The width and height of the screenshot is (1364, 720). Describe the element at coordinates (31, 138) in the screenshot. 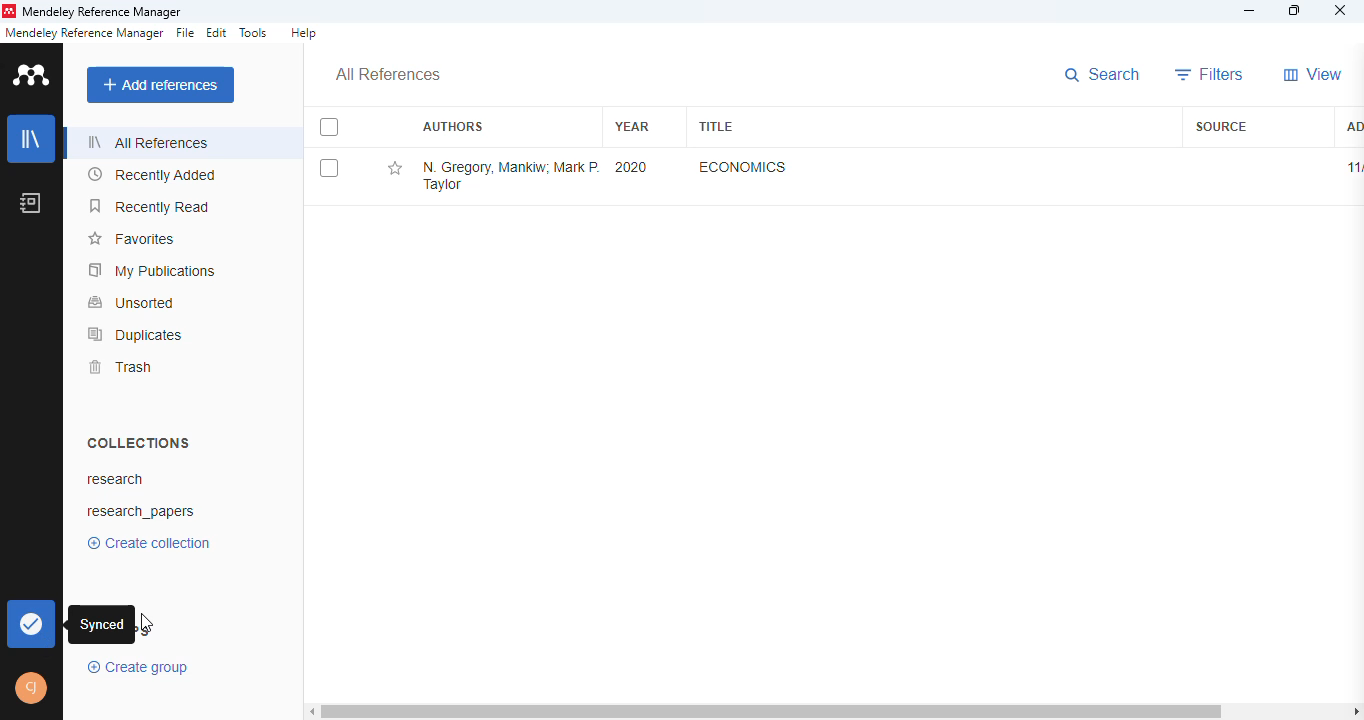

I see `library` at that location.